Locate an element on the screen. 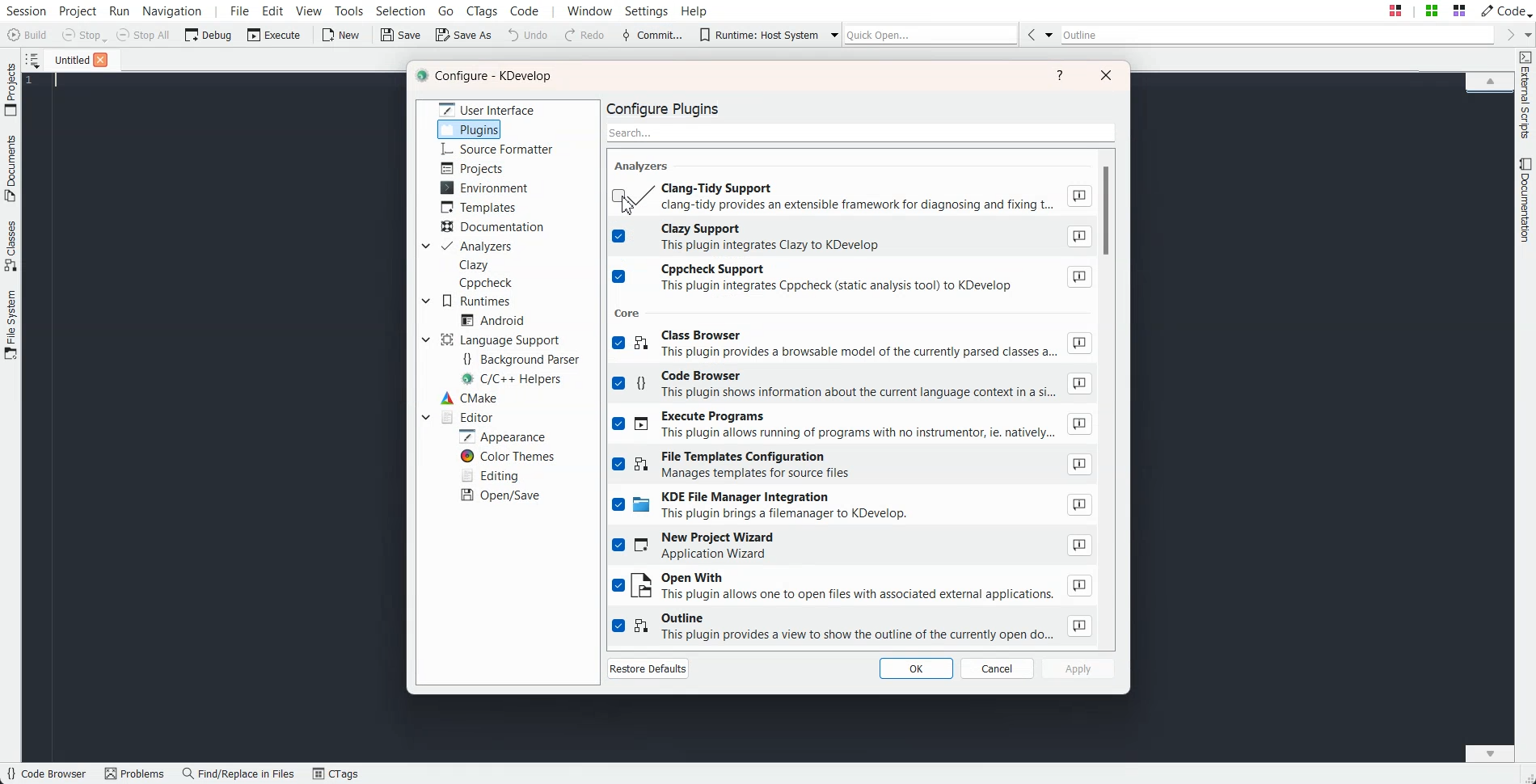 The image size is (1536, 784). About is located at coordinates (1079, 384).